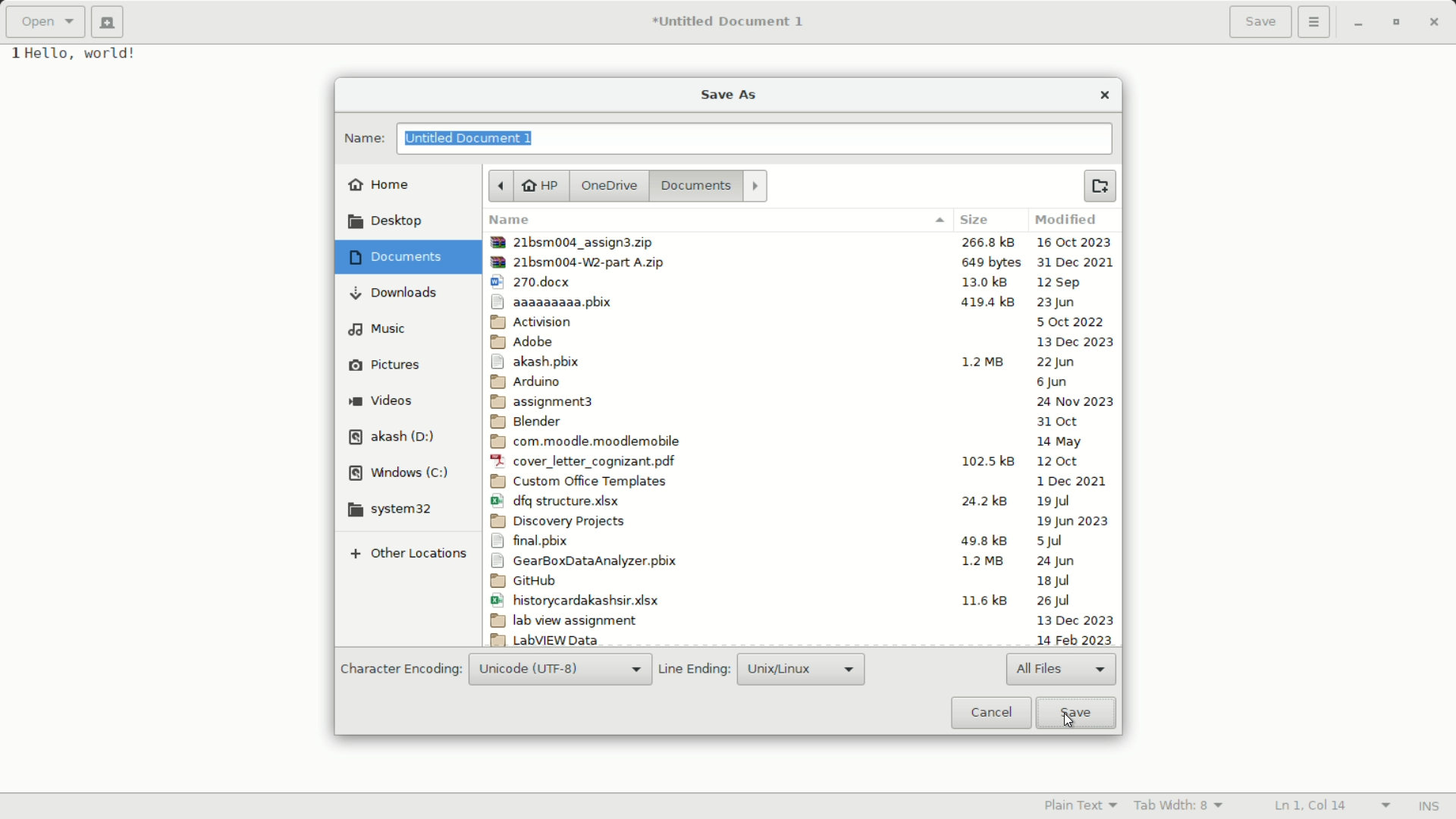  I want to click on line and columns, so click(1332, 804).